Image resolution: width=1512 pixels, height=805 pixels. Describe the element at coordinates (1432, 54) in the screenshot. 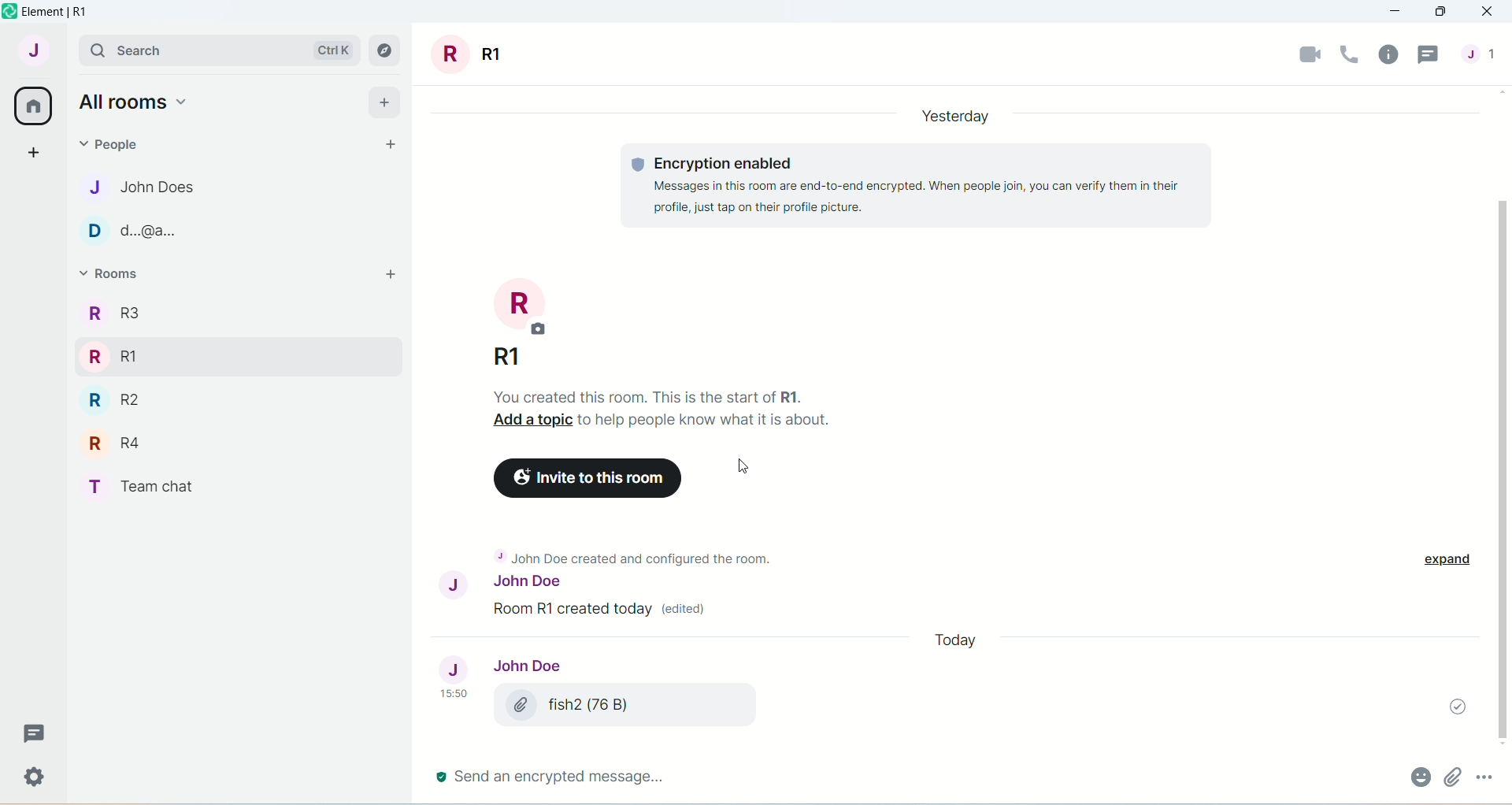

I see `threads` at that location.